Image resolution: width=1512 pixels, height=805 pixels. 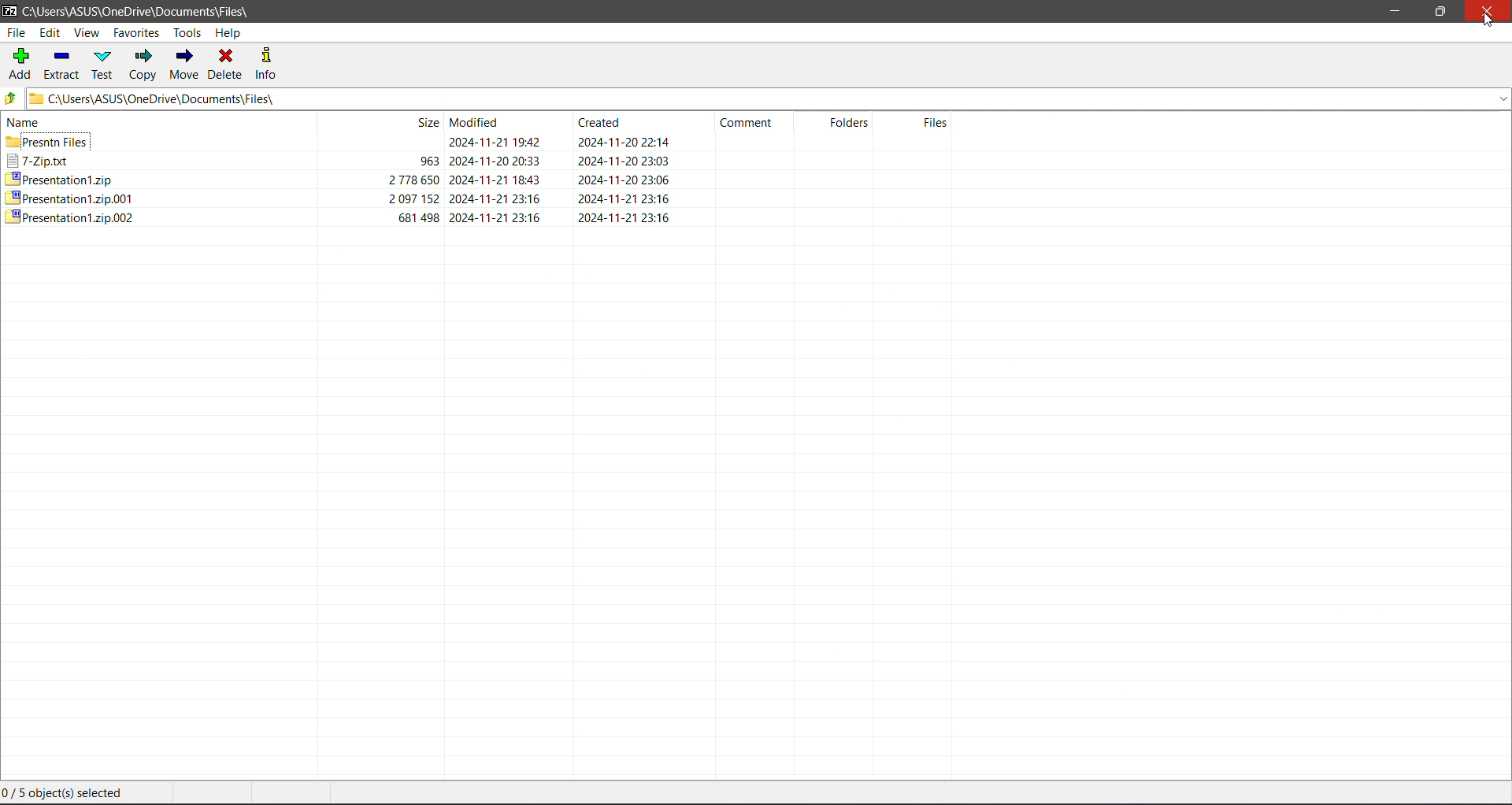 I want to click on re Modified, so click(x=478, y=122).